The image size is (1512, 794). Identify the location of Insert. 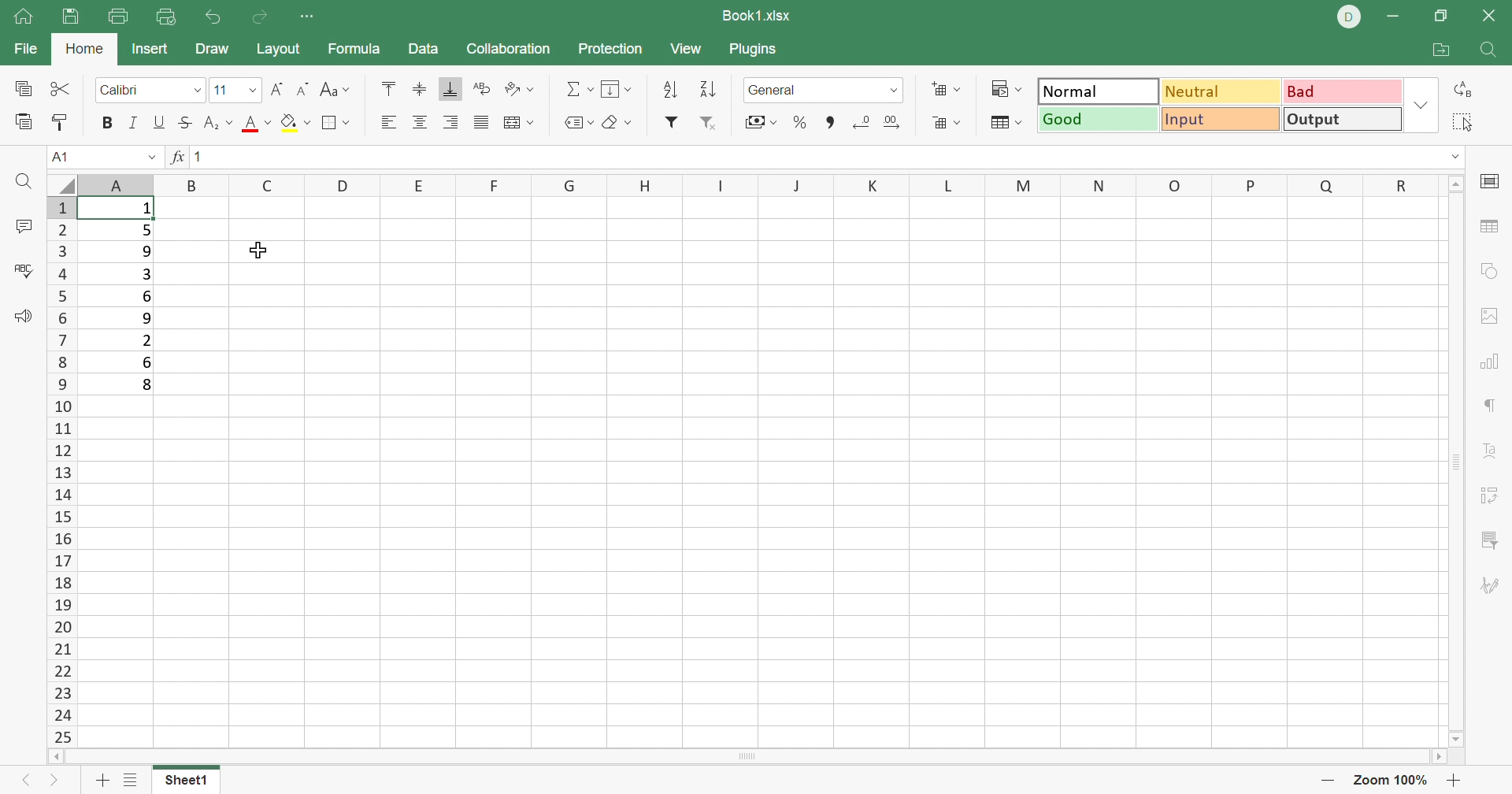
(149, 49).